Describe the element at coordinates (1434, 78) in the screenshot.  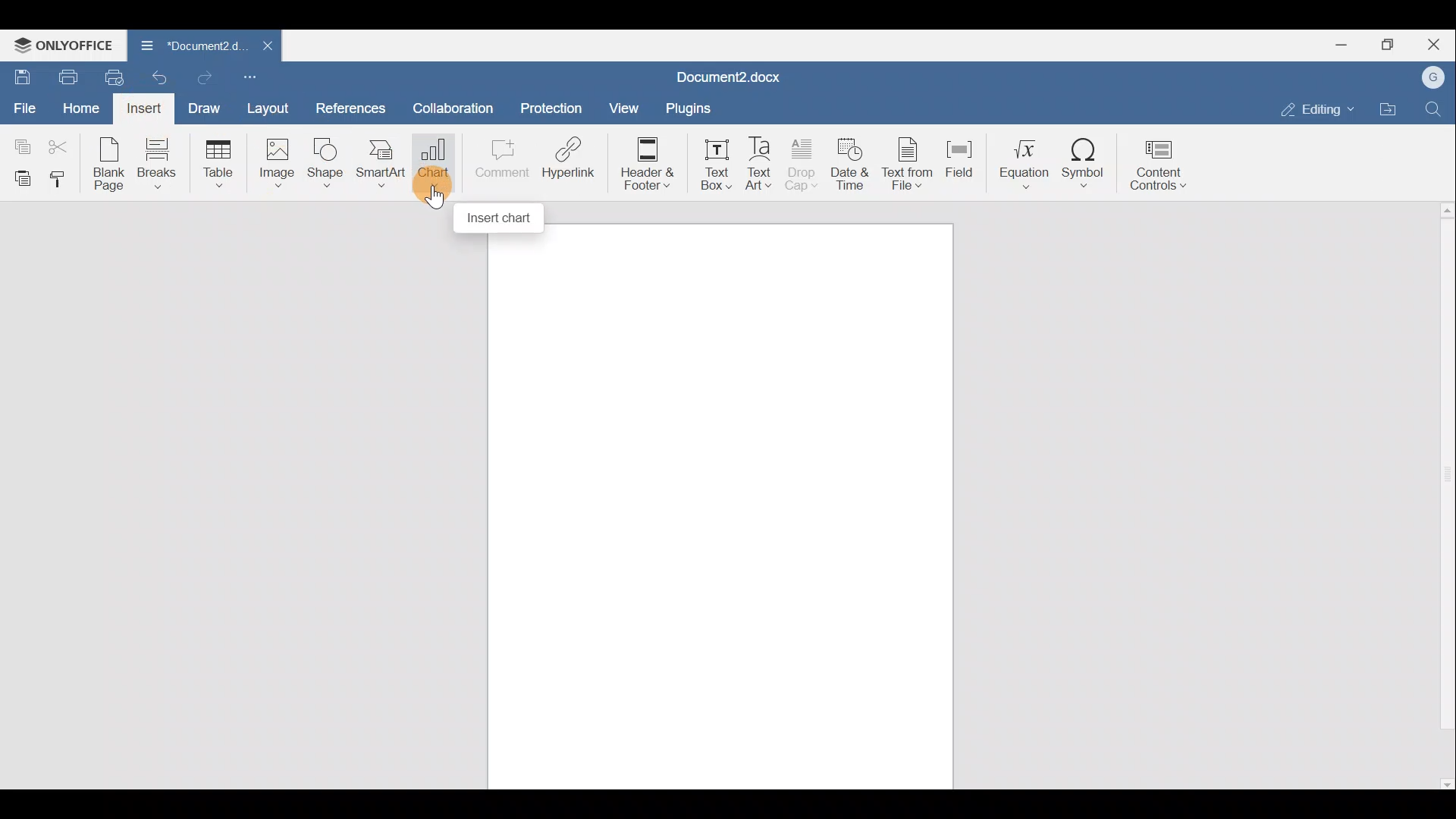
I see `Account name` at that location.